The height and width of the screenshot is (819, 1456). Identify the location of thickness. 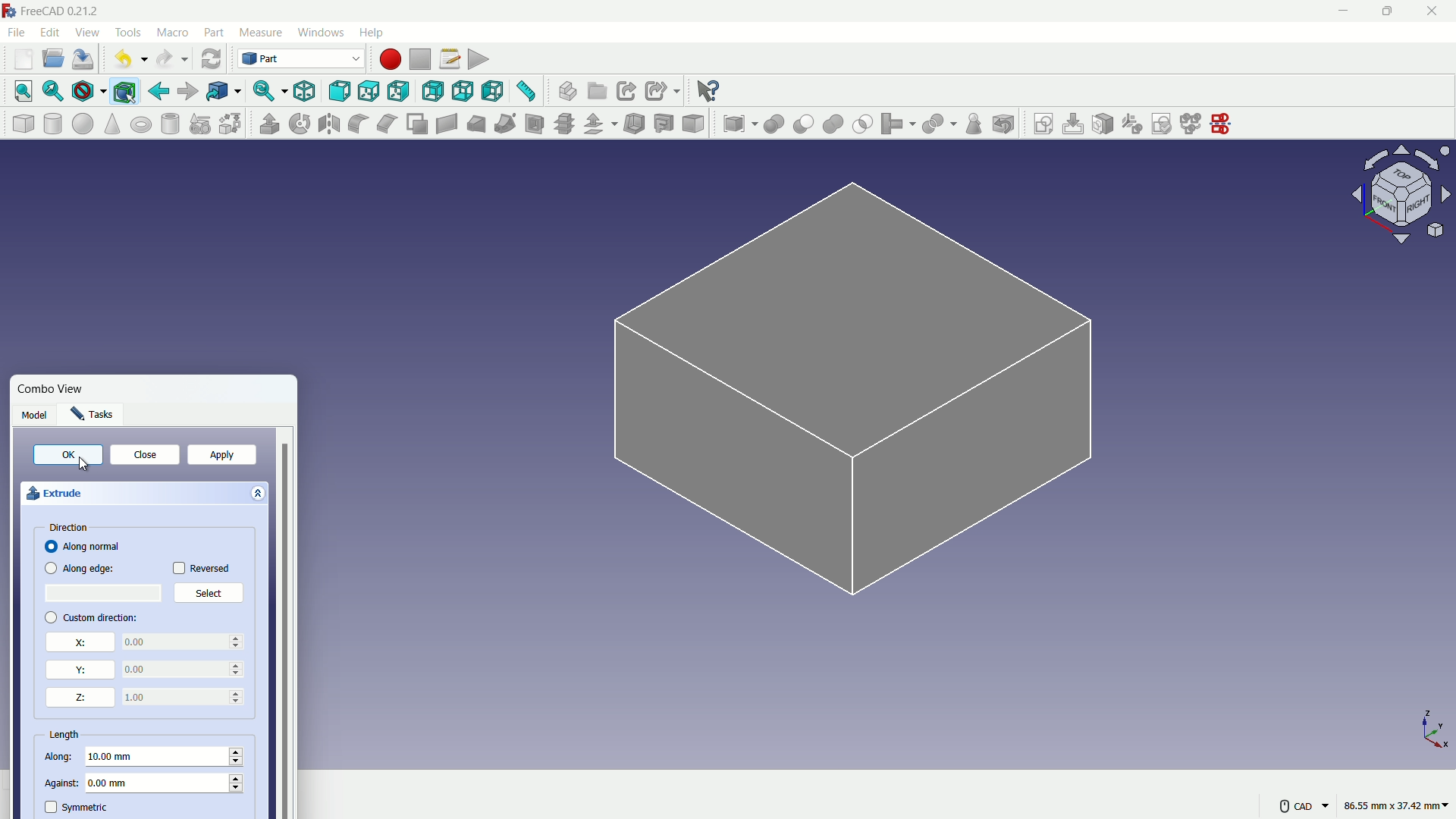
(636, 124).